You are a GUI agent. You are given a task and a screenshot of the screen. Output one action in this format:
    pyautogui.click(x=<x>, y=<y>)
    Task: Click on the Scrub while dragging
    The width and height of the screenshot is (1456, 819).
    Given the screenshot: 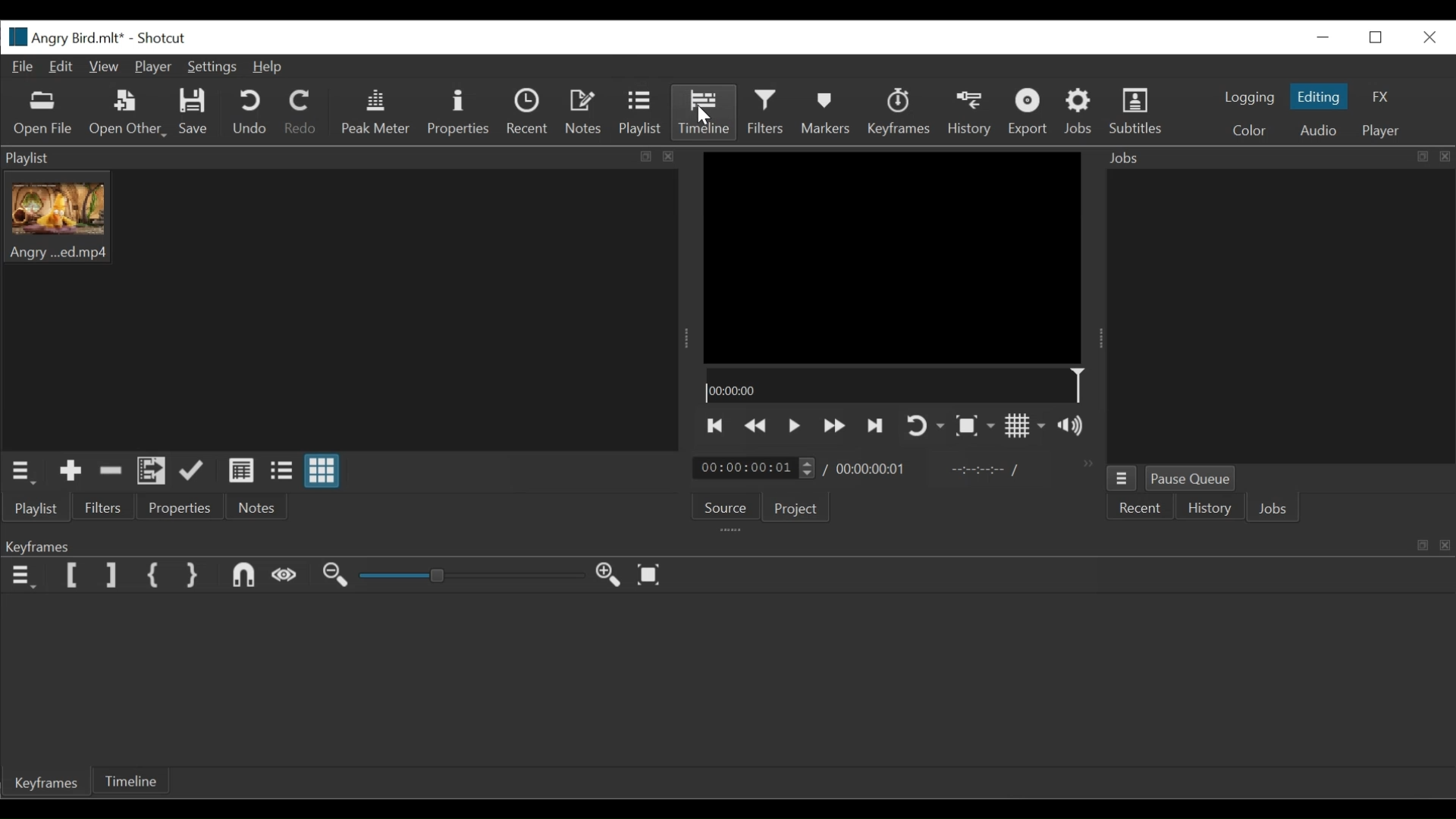 What is the action you would take?
    pyautogui.click(x=286, y=576)
    